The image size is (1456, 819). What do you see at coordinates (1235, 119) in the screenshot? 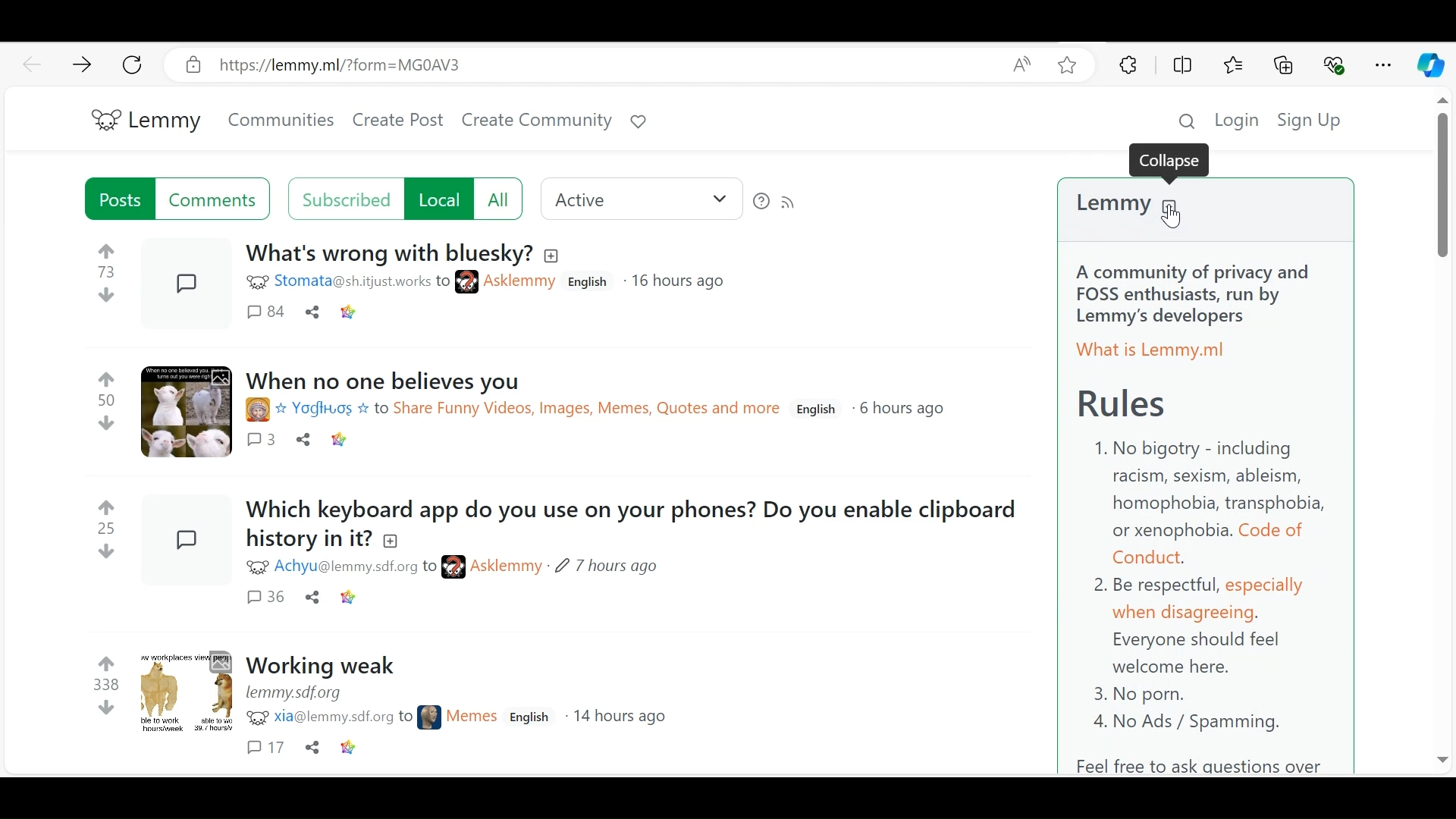
I see `login` at bounding box center [1235, 119].